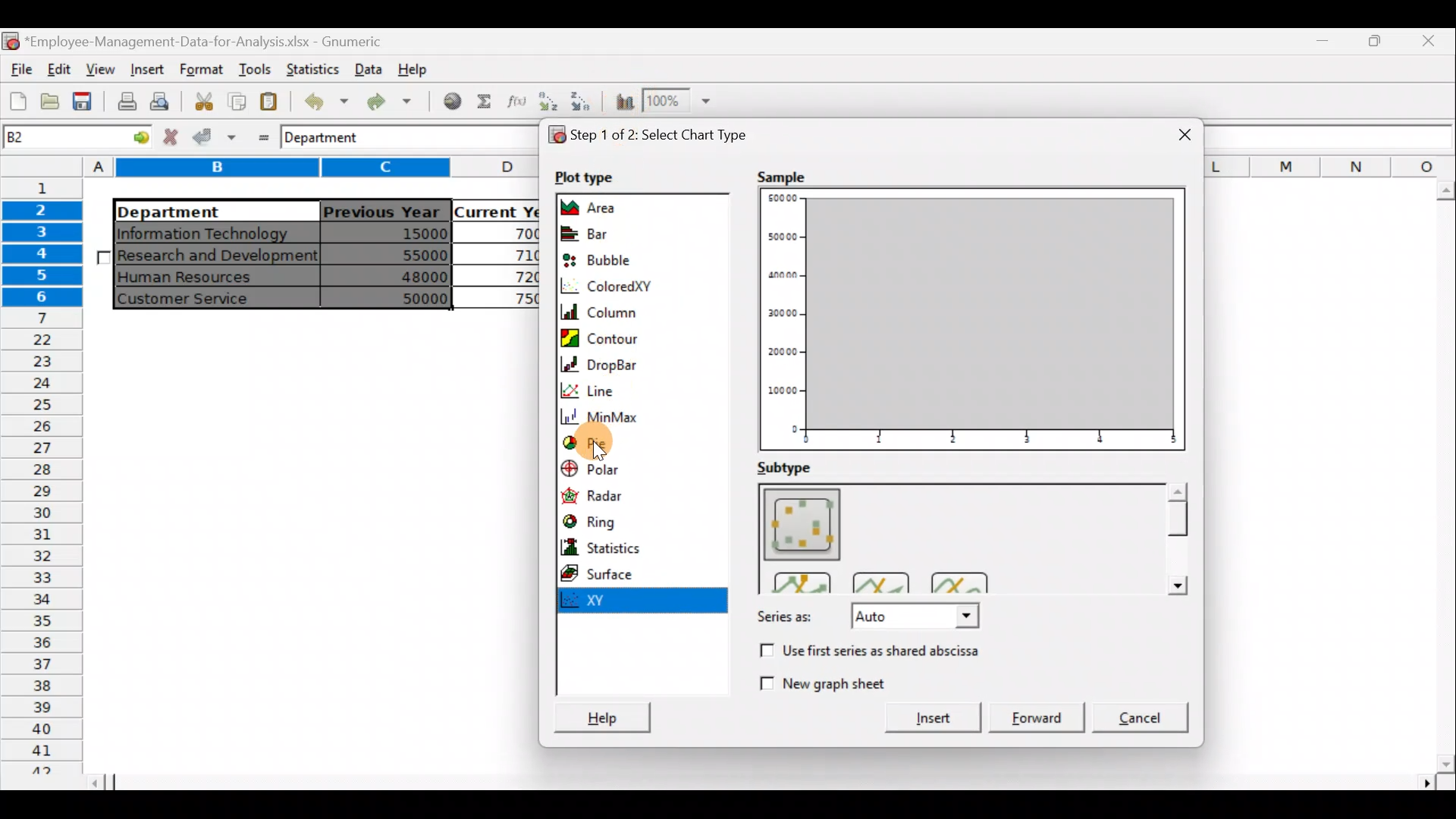 The width and height of the screenshot is (1456, 819). I want to click on Cancel change, so click(172, 138).